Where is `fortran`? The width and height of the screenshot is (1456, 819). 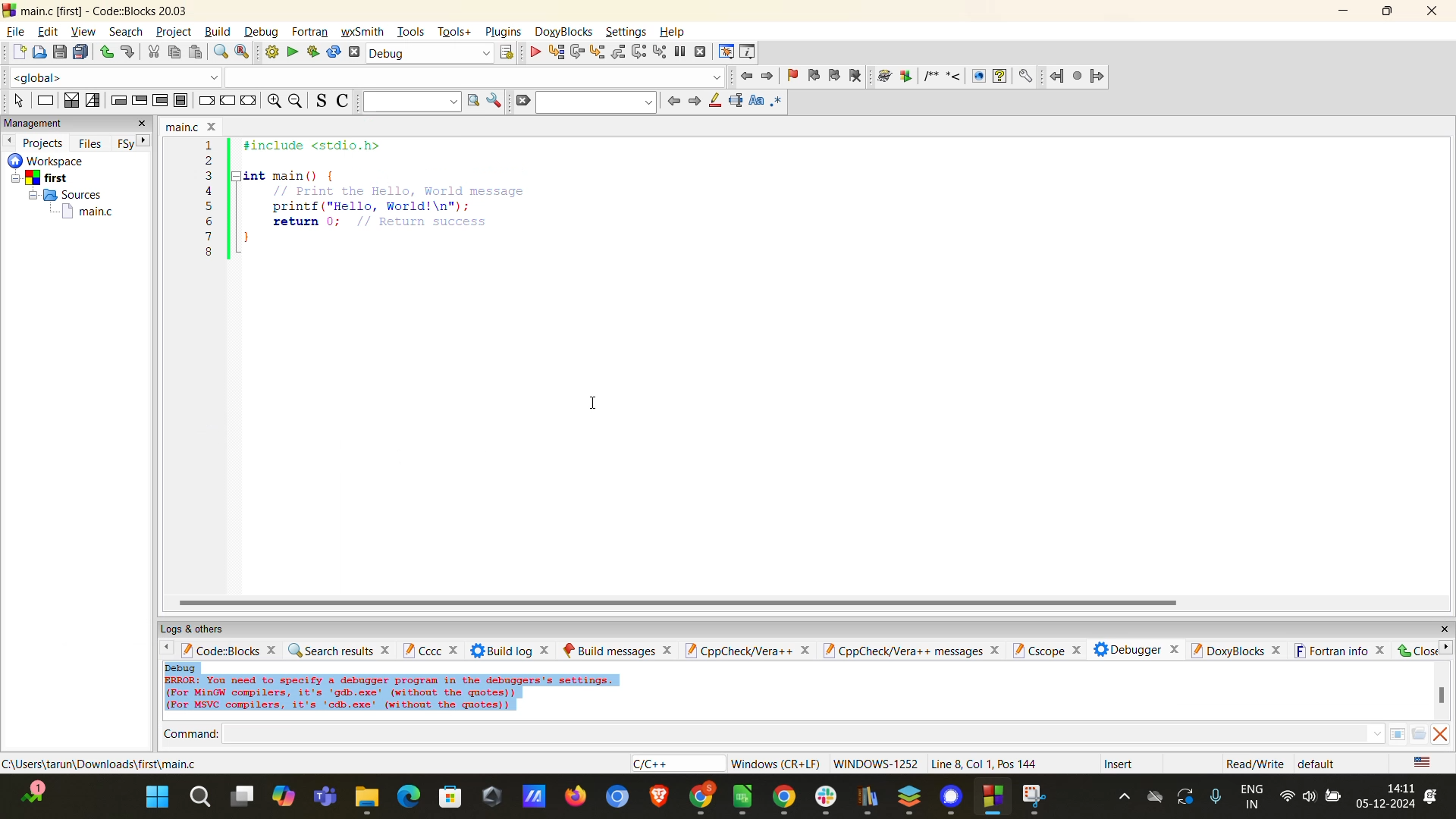
fortran is located at coordinates (312, 31).